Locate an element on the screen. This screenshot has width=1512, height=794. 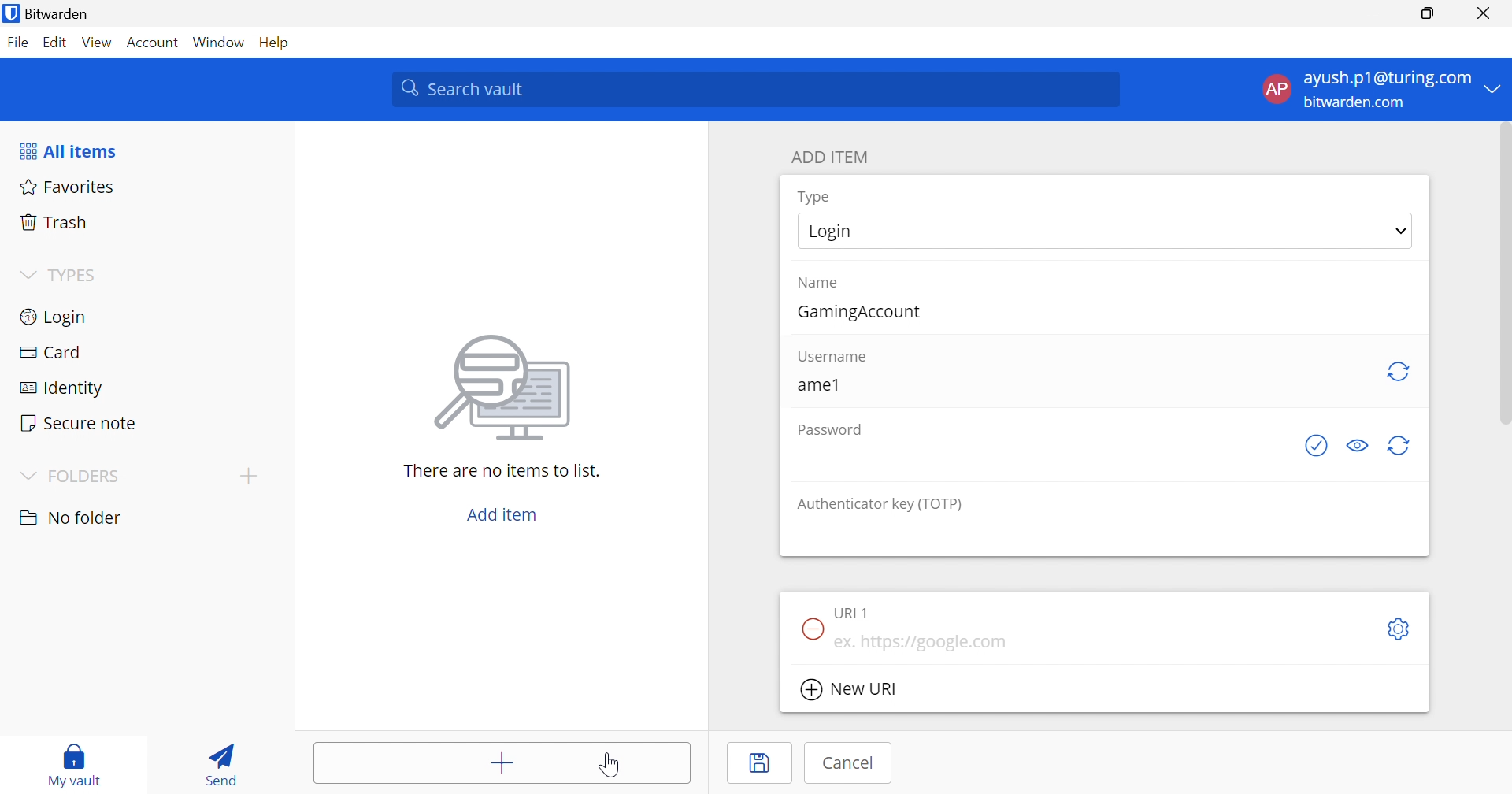
Bitwarden is located at coordinates (46, 13).